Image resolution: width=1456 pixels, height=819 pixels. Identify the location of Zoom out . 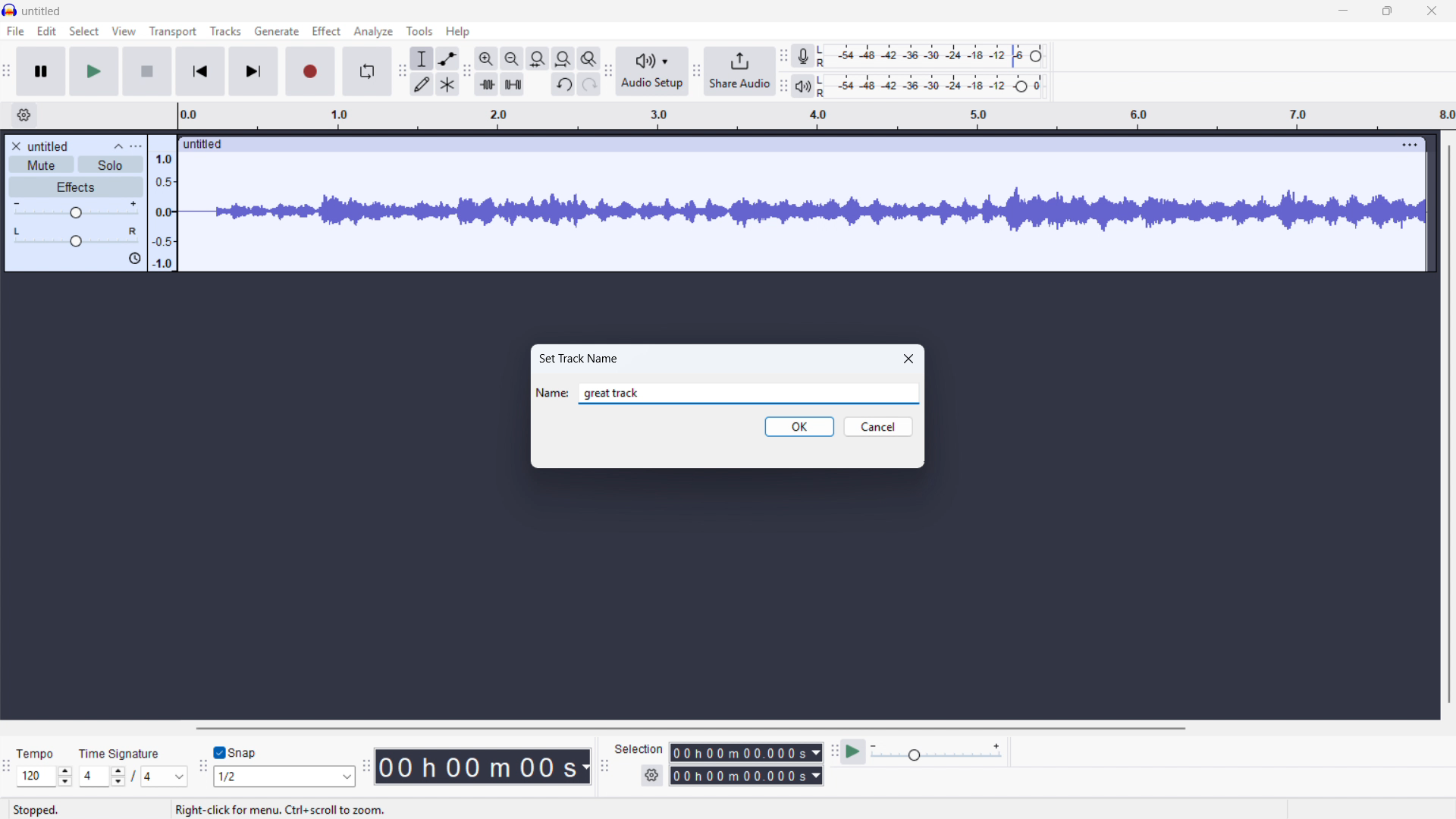
(512, 58).